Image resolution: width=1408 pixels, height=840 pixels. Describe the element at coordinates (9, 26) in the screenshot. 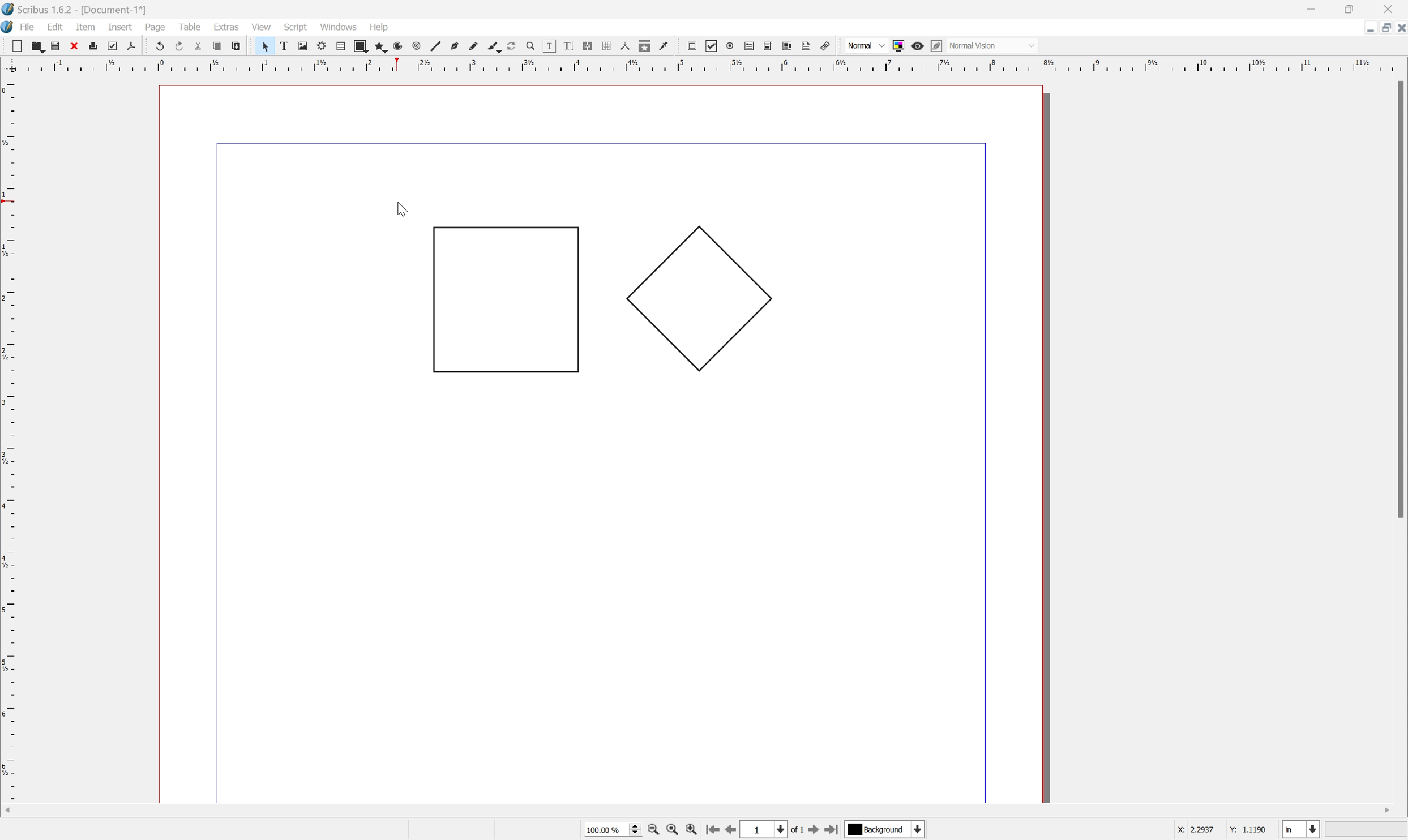

I see `application logo` at that location.